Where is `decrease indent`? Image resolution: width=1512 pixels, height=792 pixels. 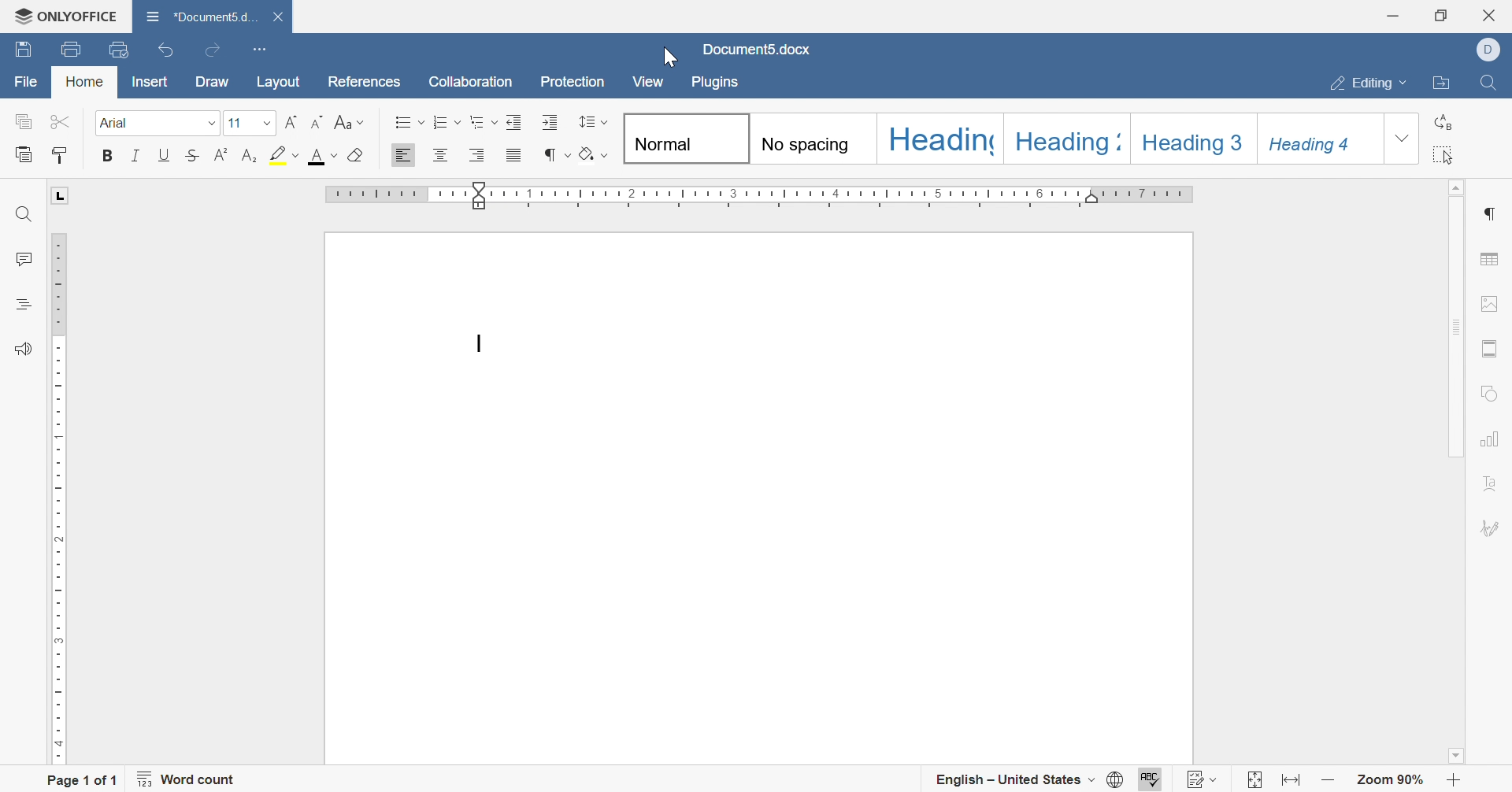 decrease indent is located at coordinates (515, 121).